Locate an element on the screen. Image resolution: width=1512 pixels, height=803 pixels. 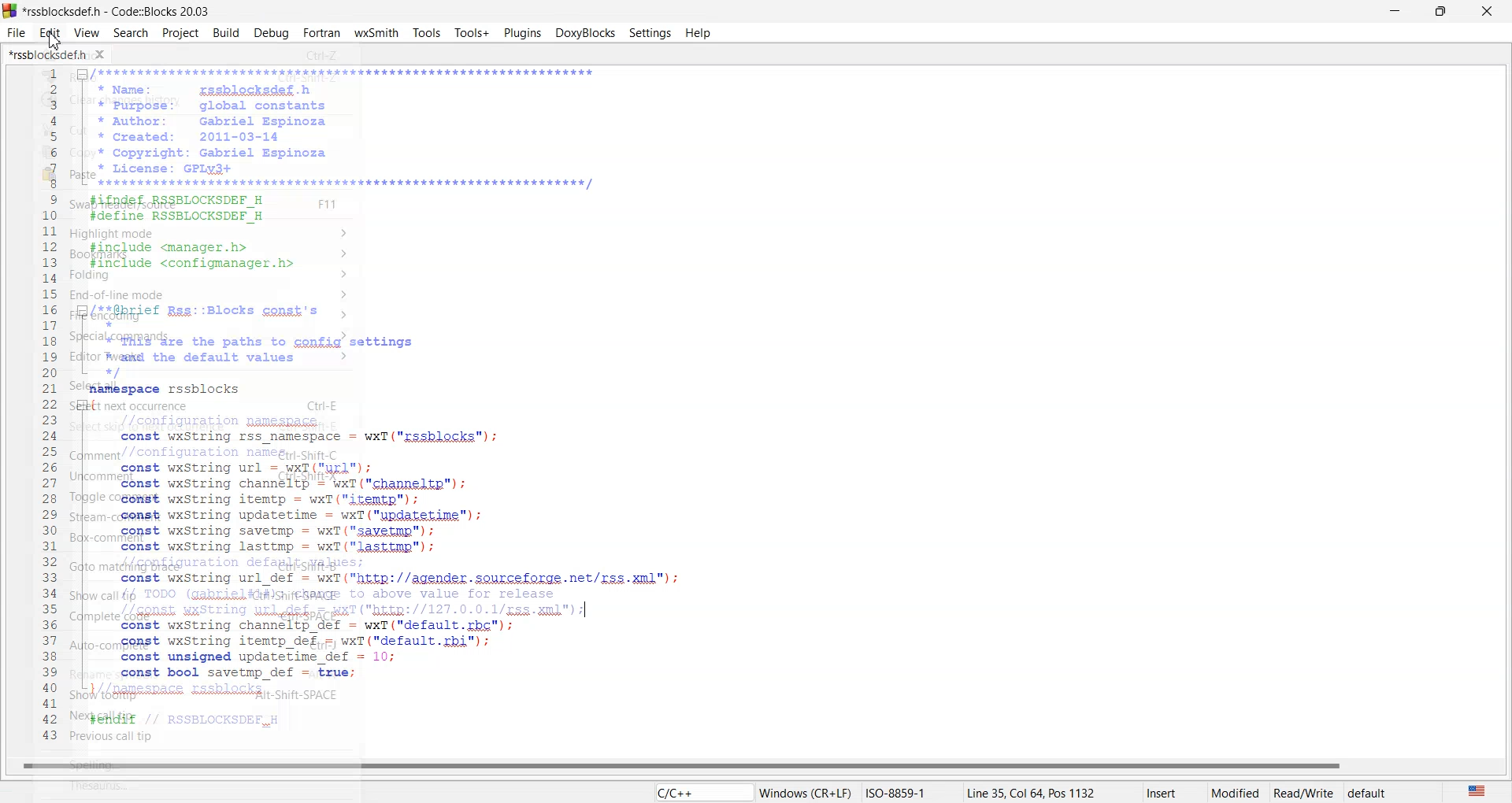
IDE CODE  is located at coordinates (399, 405).